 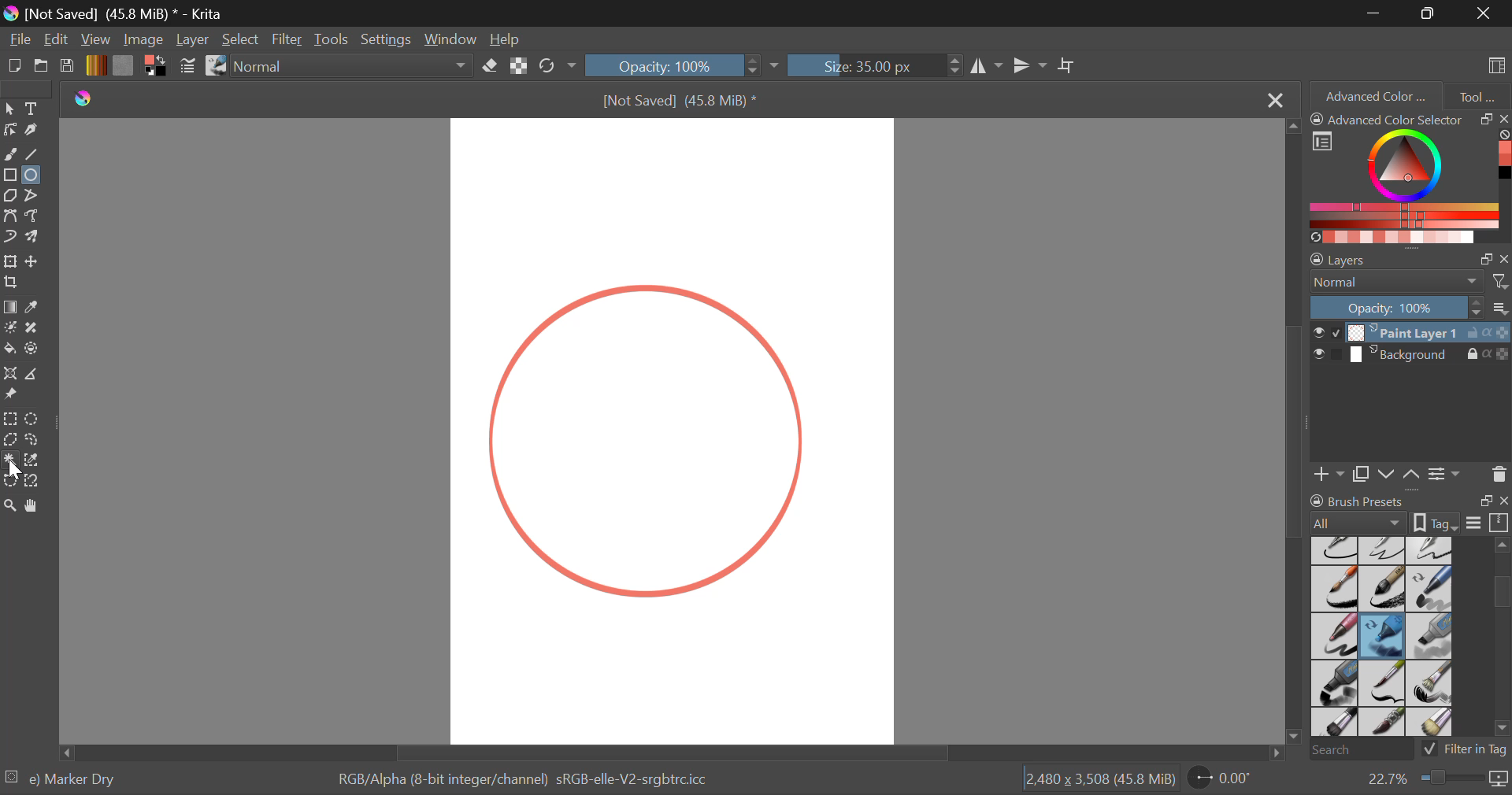 I want to click on Enclose and Fill Tool, so click(x=33, y=349).